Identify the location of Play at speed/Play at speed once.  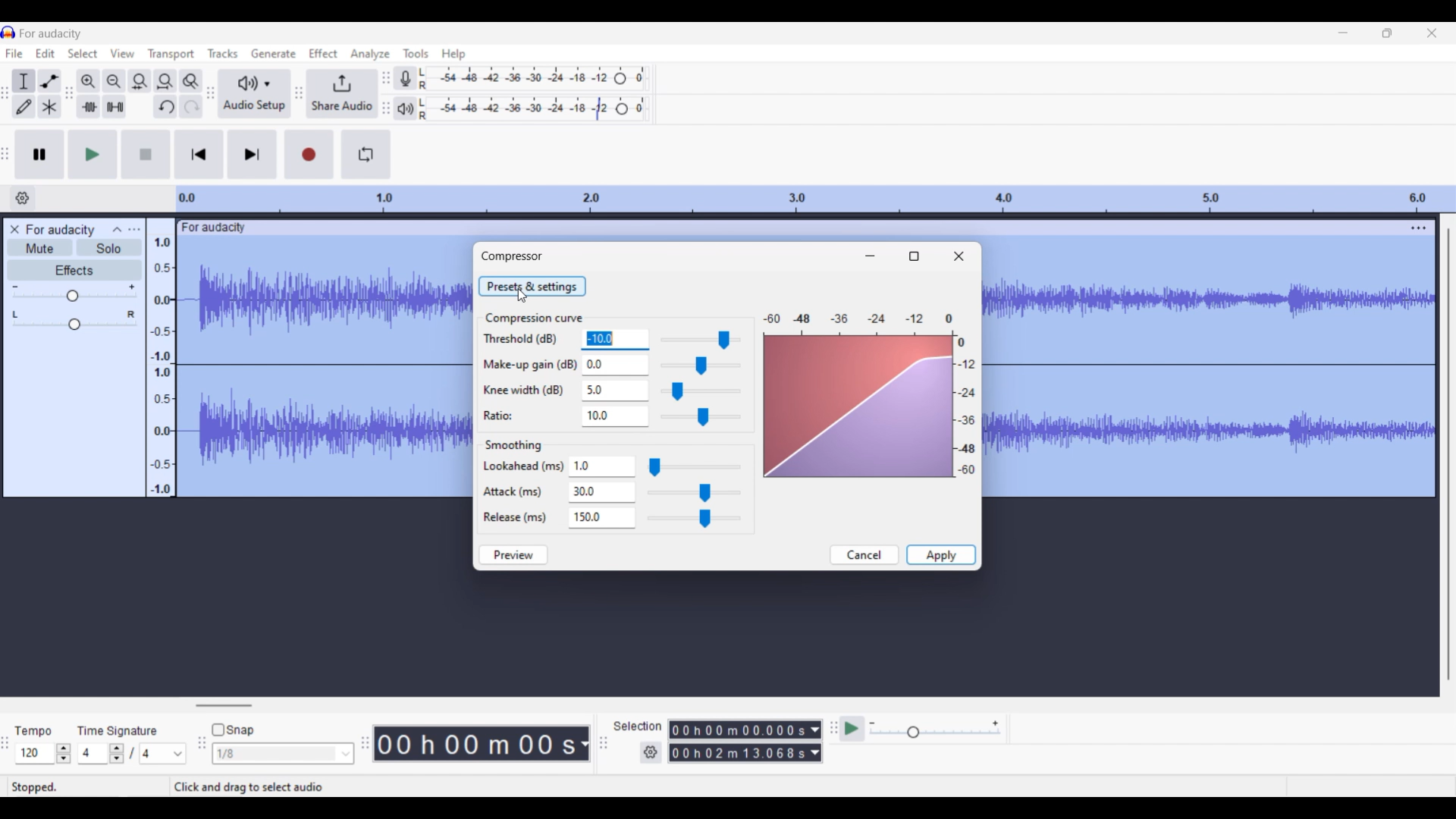
(852, 729).